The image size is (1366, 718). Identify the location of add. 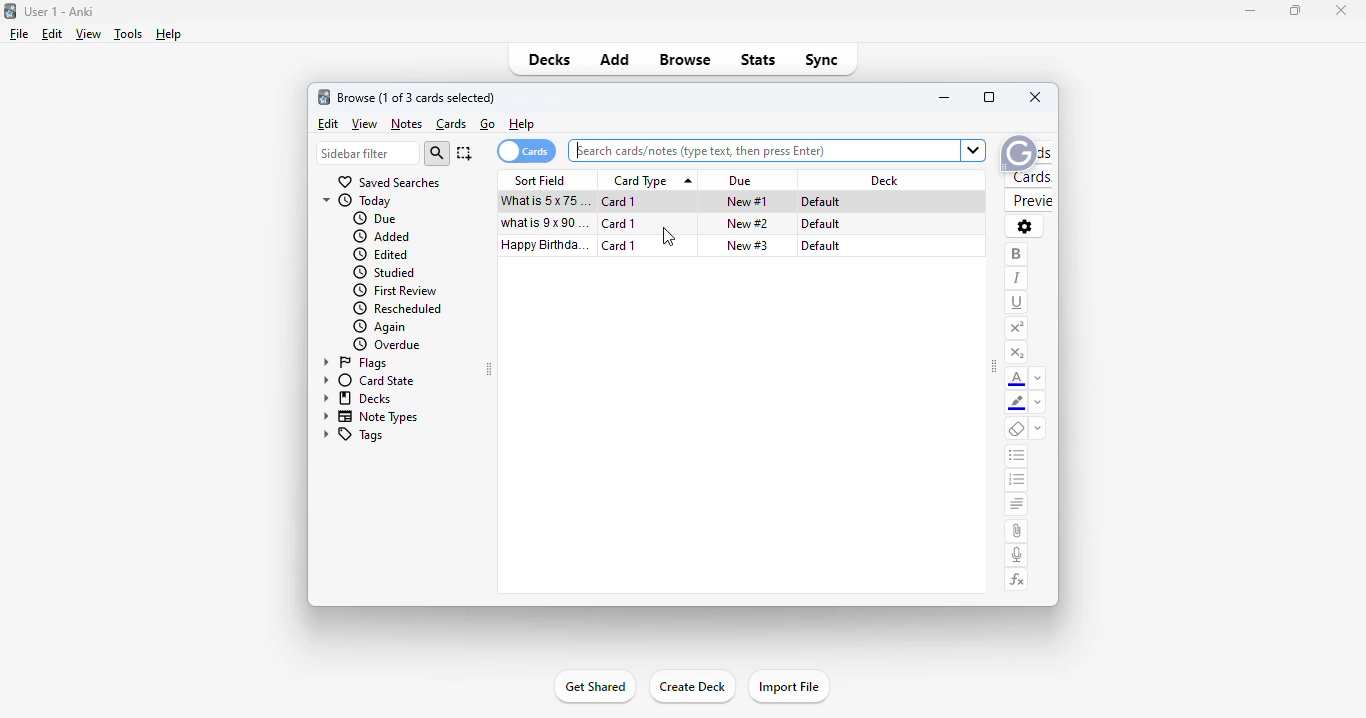
(616, 58).